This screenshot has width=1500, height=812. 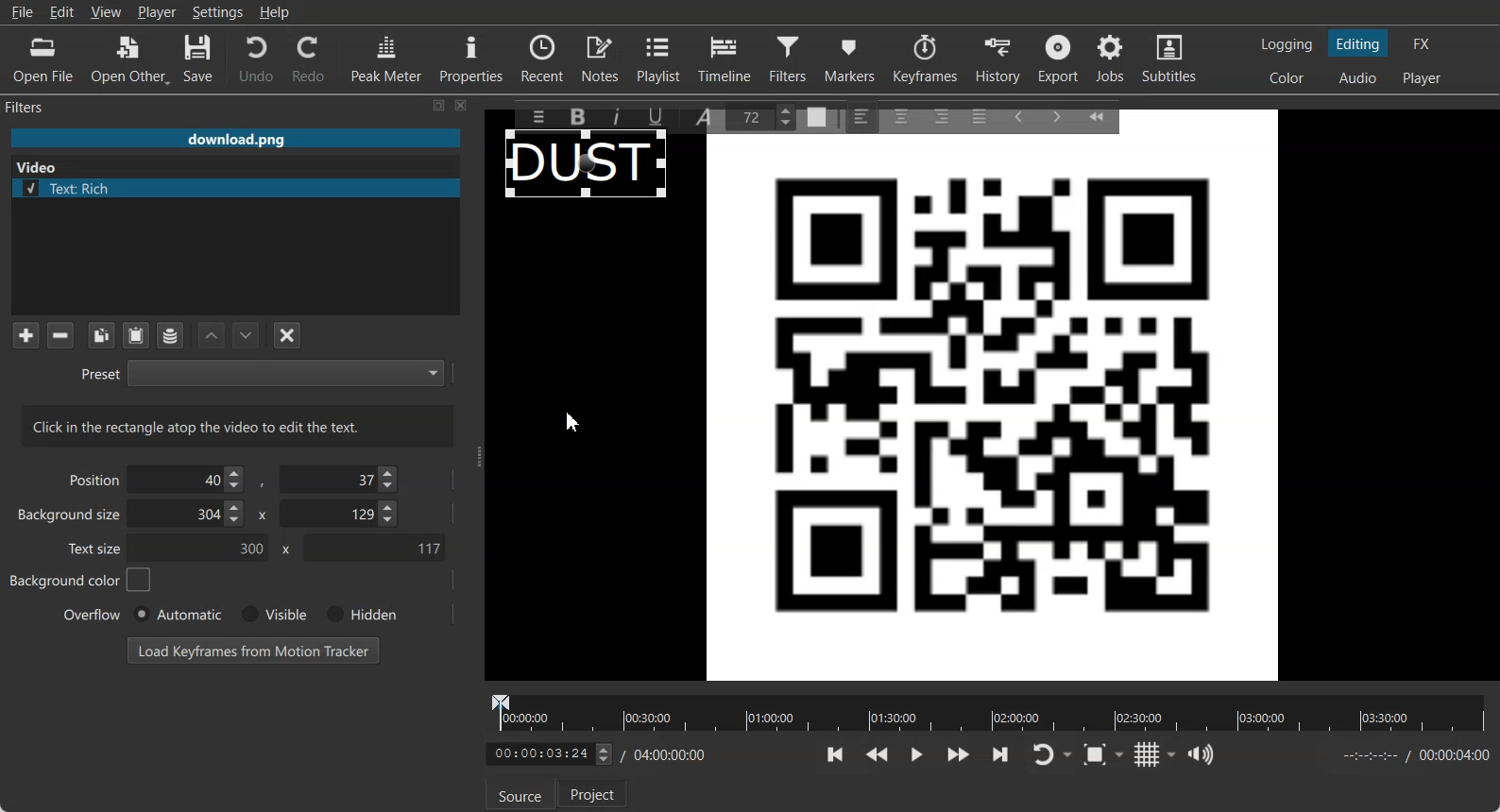 What do you see at coordinates (358, 614) in the screenshot?
I see `Hidden` at bounding box center [358, 614].